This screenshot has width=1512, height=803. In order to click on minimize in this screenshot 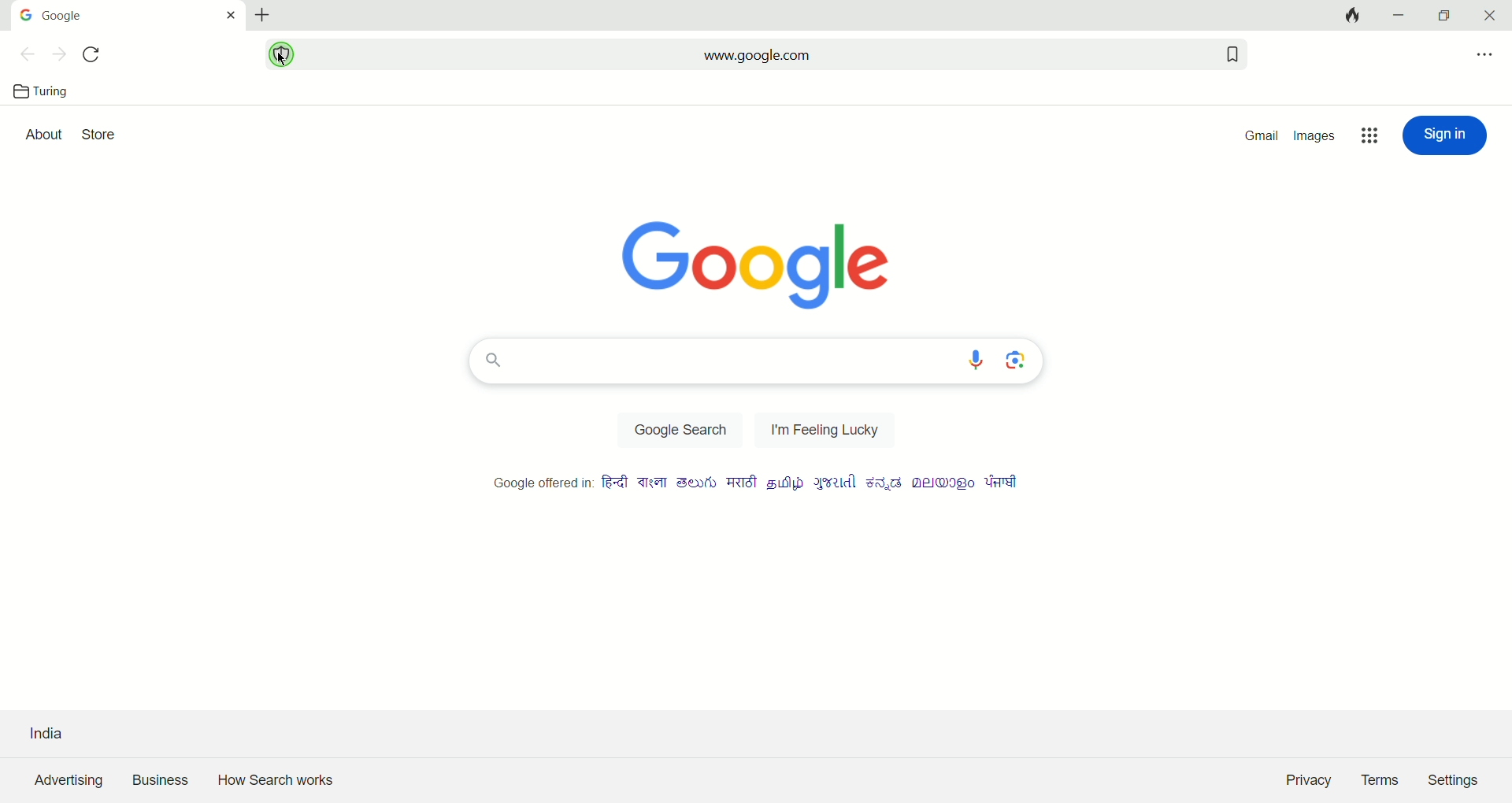, I will do `click(1398, 17)`.